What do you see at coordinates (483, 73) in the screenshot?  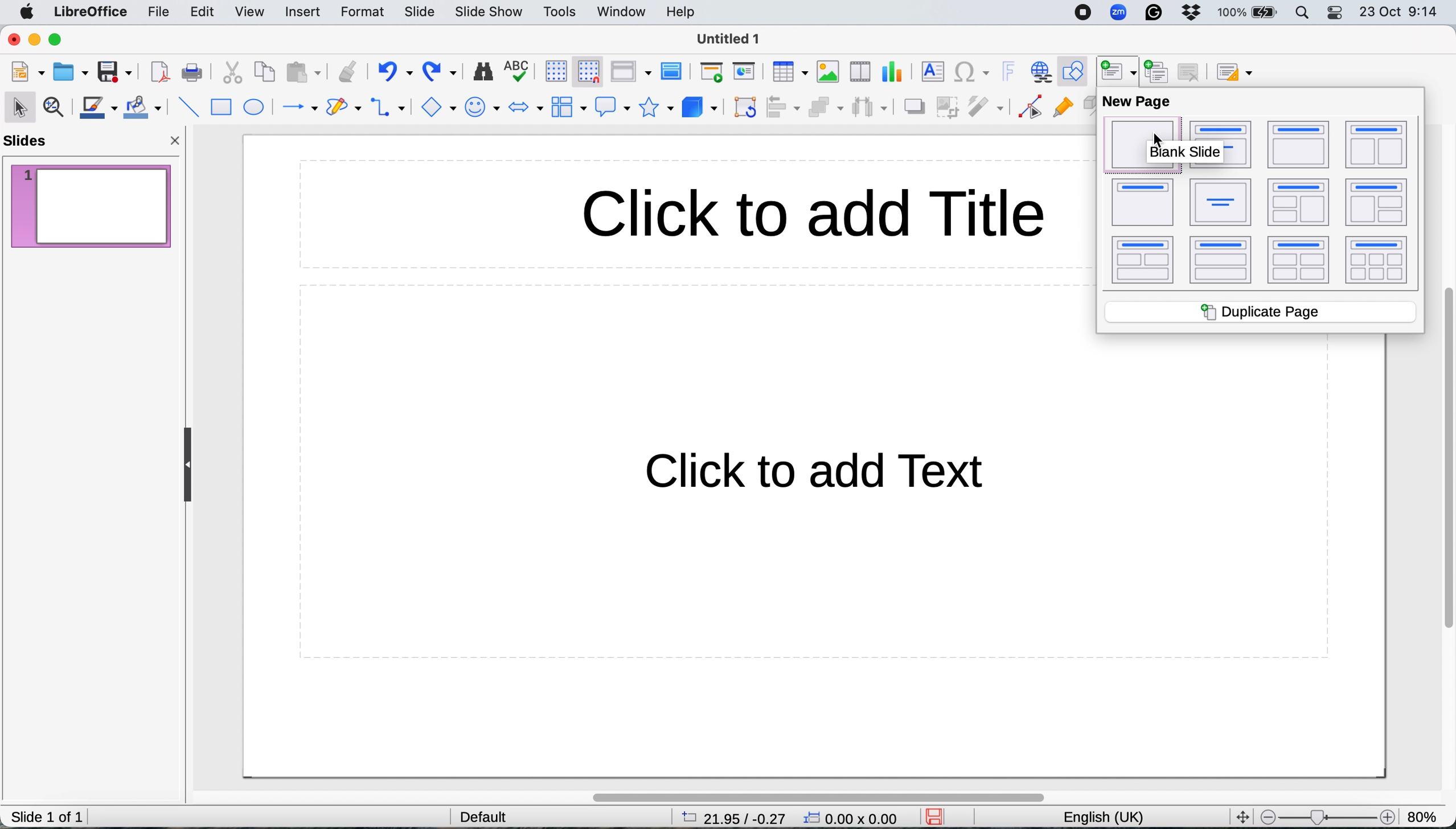 I see `find and replace` at bounding box center [483, 73].